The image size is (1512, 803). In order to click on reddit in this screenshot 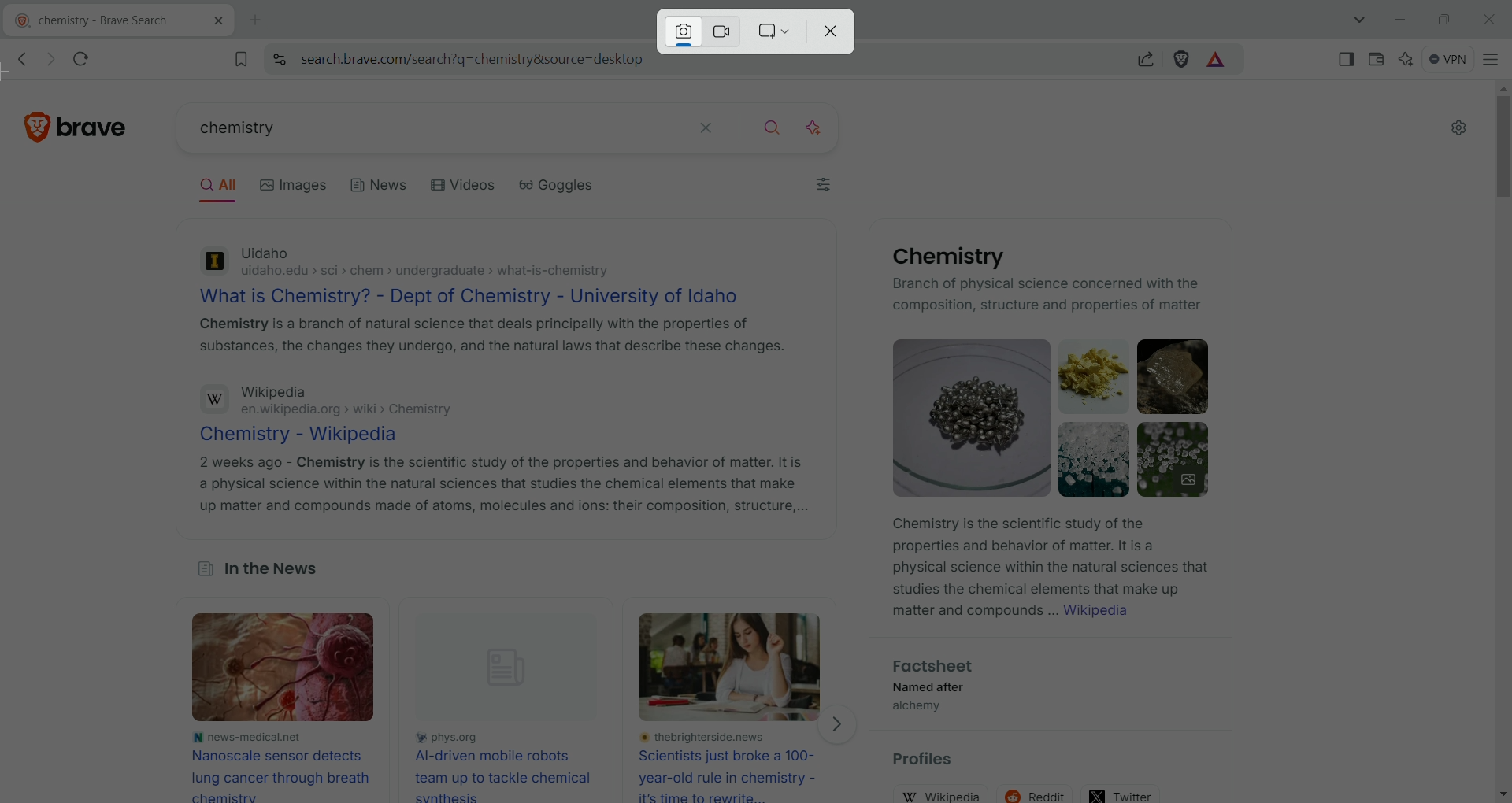, I will do `click(1039, 790)`.